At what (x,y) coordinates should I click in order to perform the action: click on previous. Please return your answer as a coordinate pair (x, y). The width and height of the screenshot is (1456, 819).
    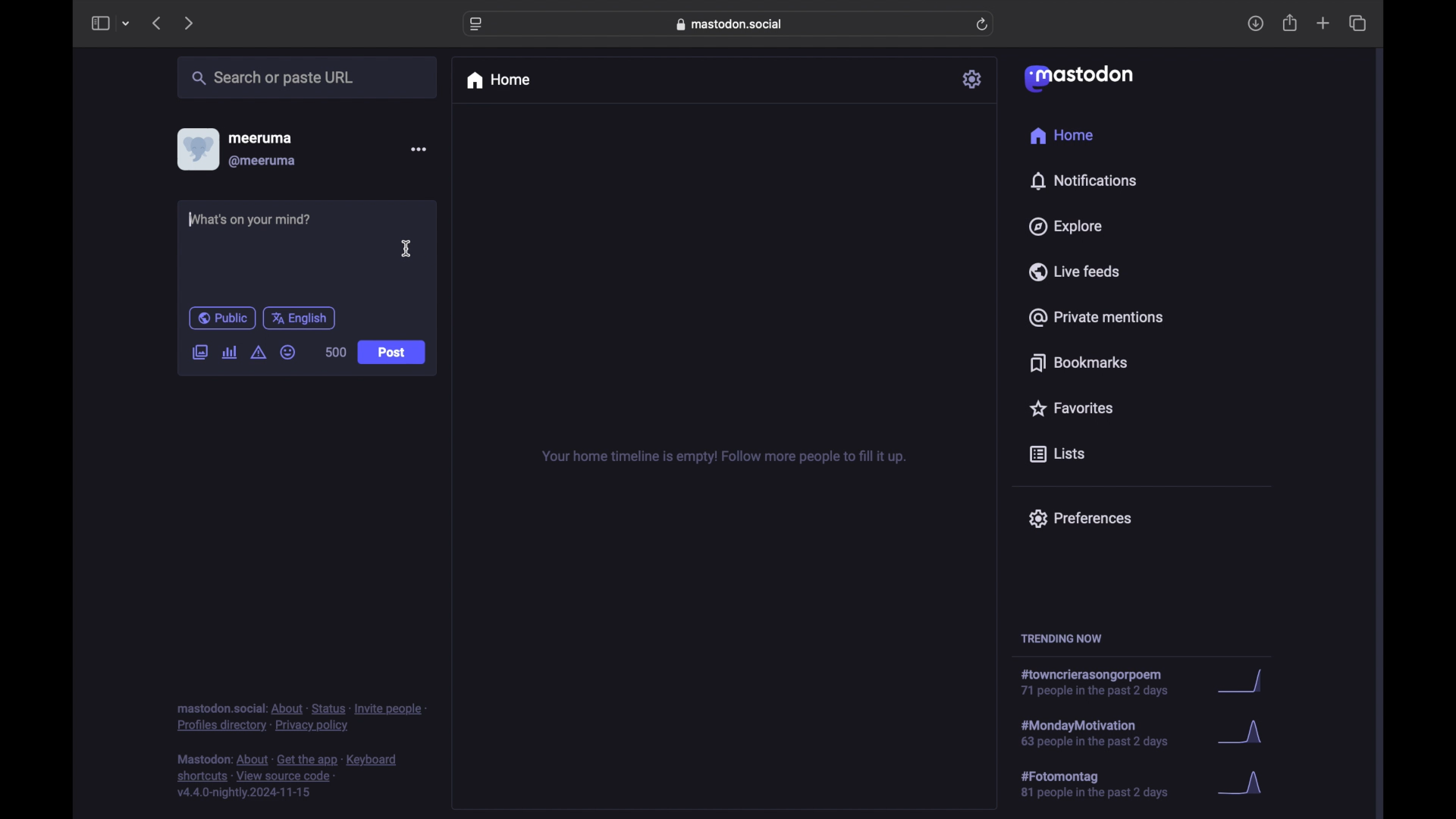
    Looking at the image, I should click on (156, 23).